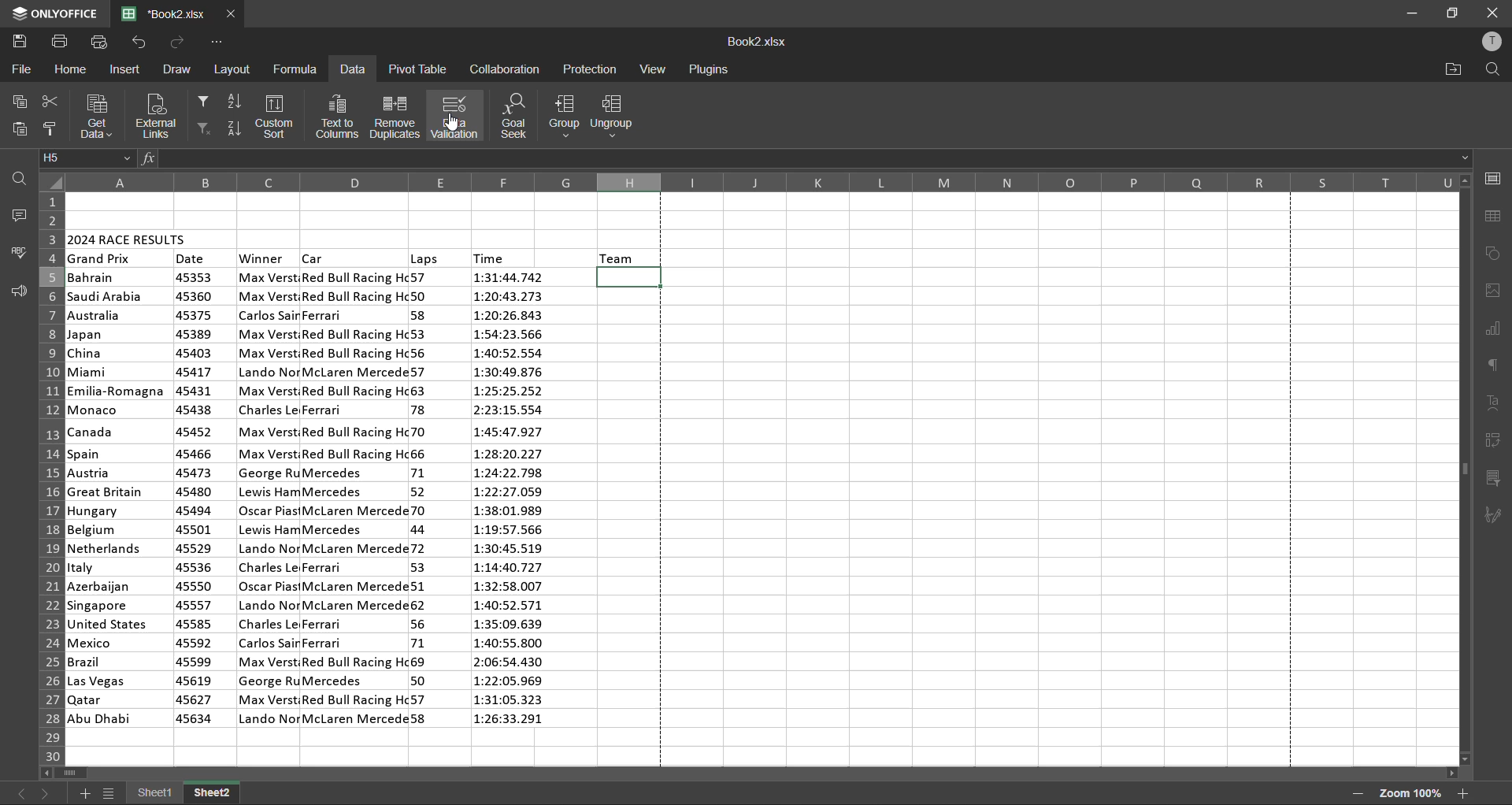  Describe the element at coordinates (47, 104) in the screenshot. I see `cut` at that location.